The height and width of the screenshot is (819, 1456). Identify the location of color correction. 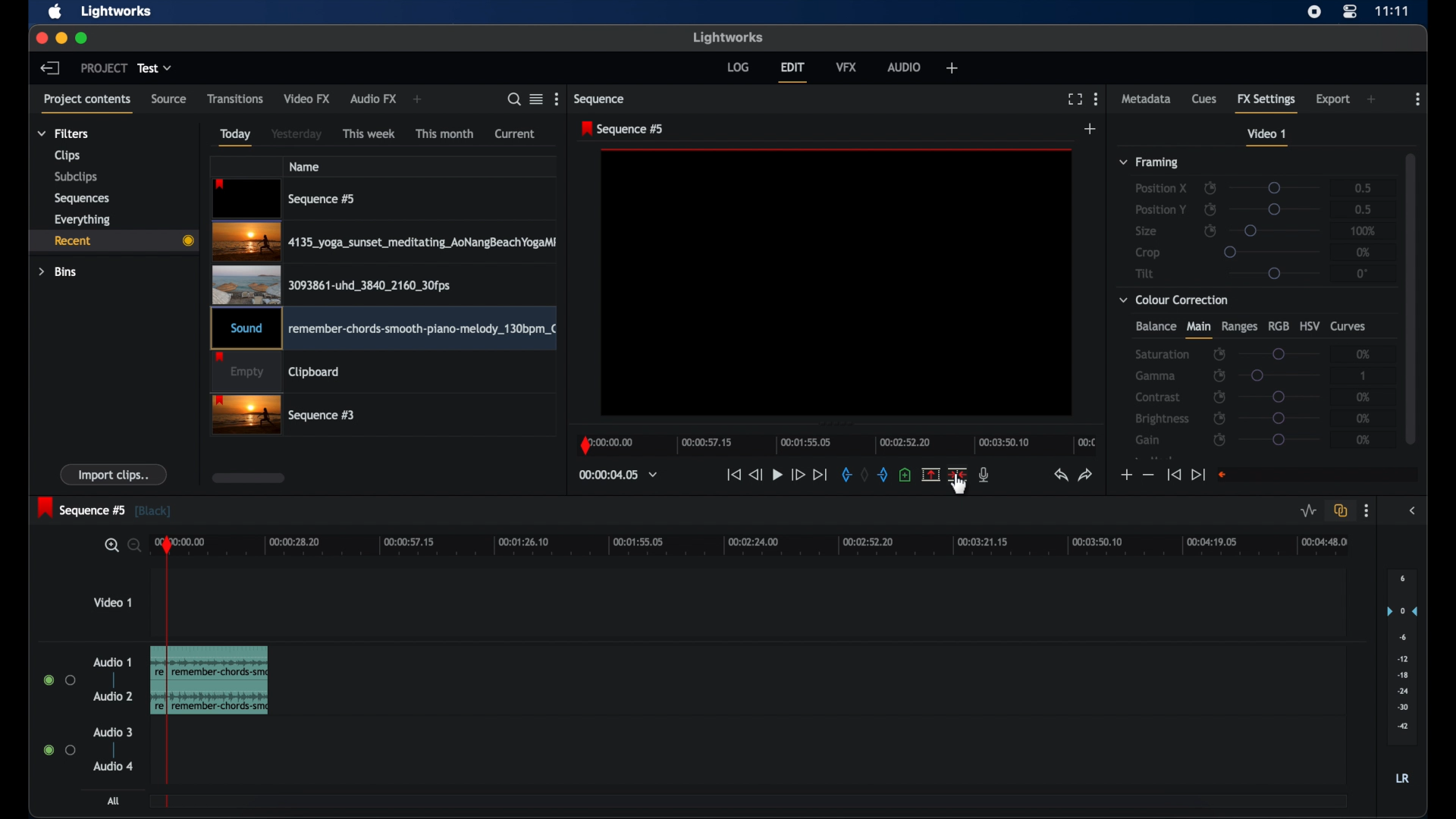
(1175, 300).